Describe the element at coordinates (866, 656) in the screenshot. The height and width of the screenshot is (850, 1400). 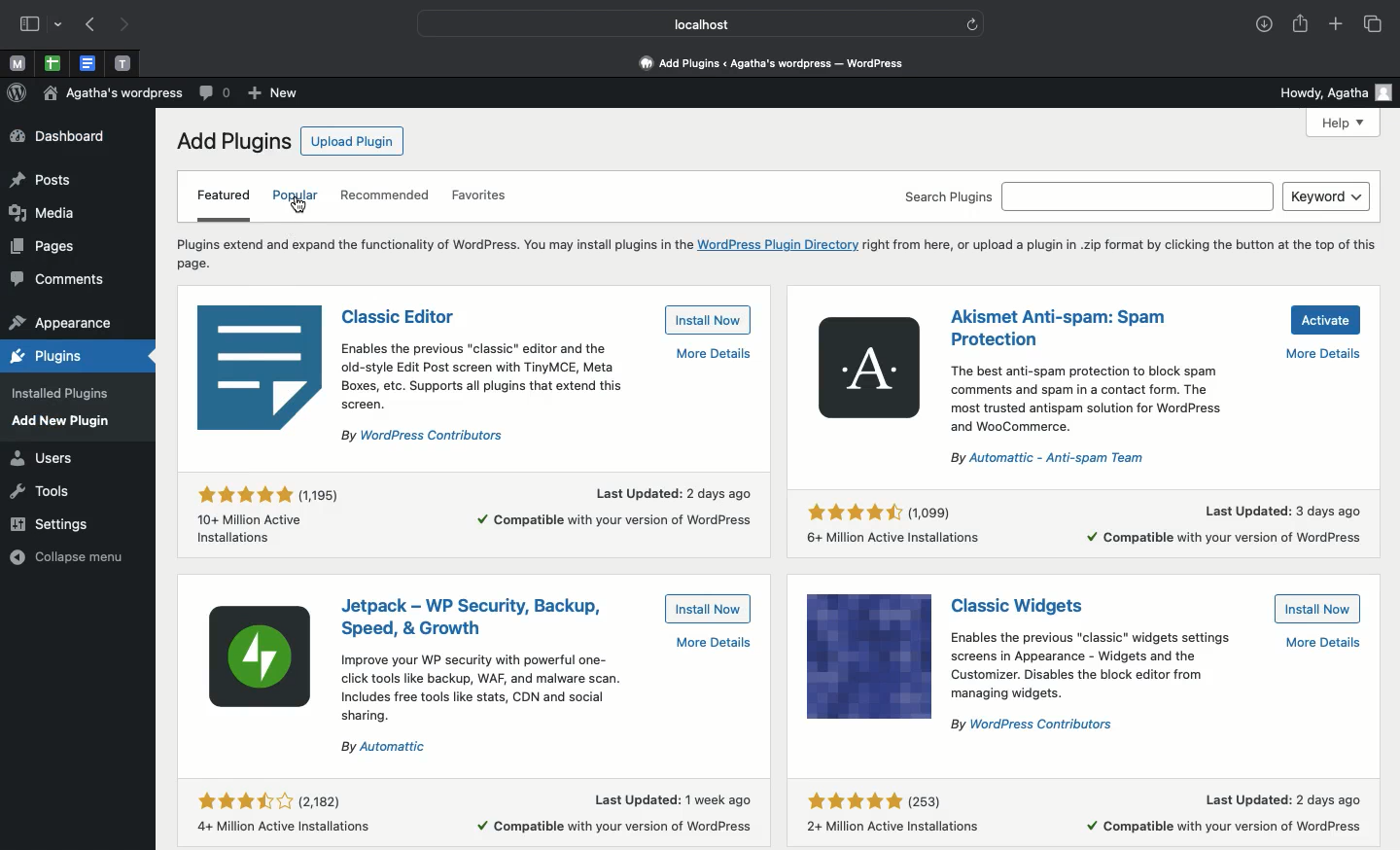
I see `Icon` at that location.